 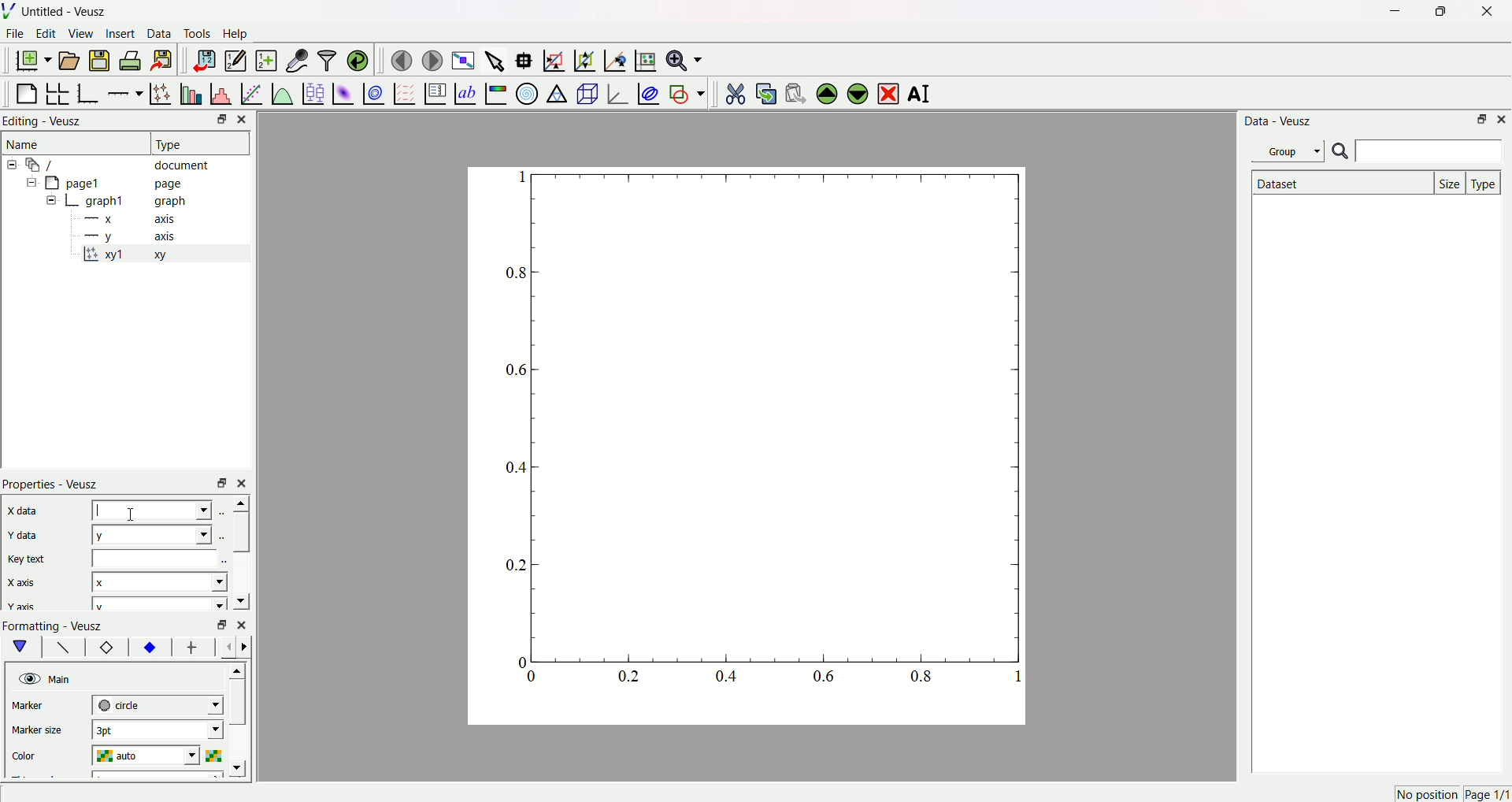 I want to click on x, so click(x=160, y=581).